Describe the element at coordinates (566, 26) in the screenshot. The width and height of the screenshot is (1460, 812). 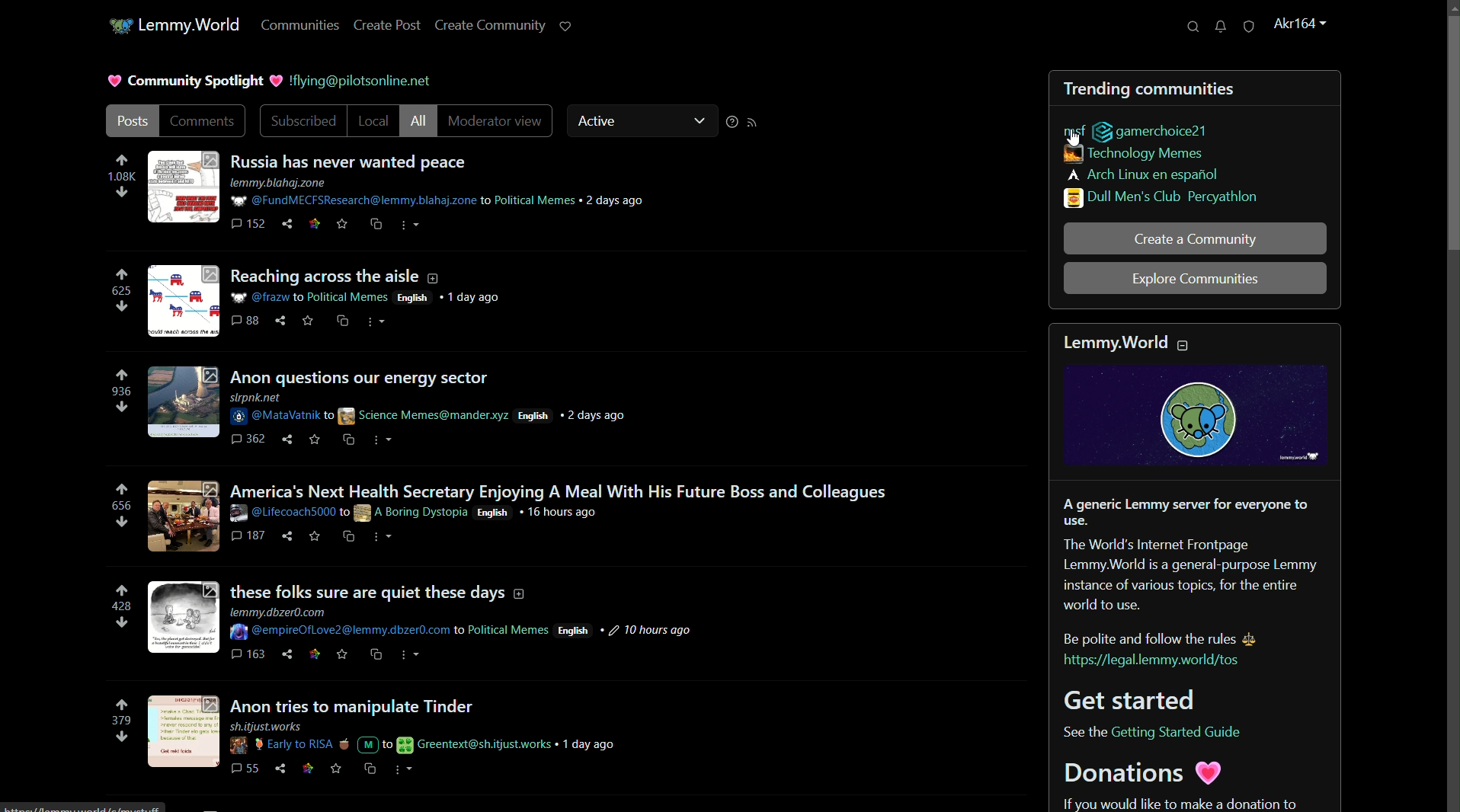
I see `support lemmy.world` at that location.